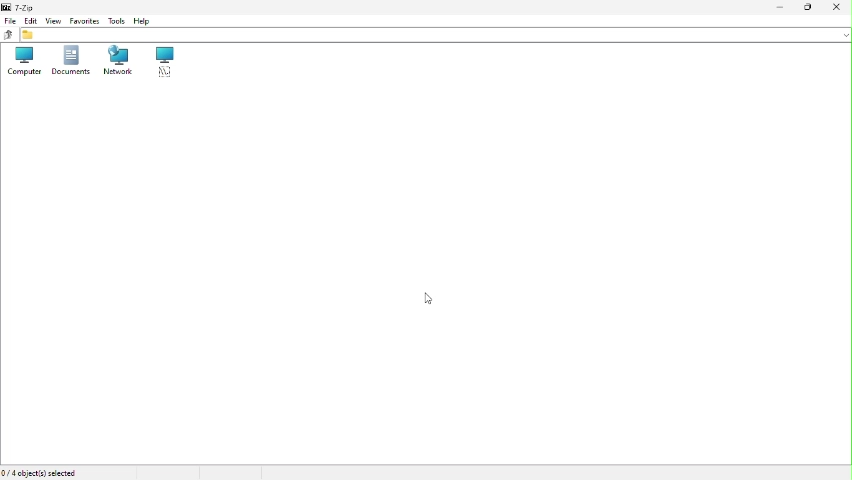  What do you see at coordinates (431, 300) in the screenshot?
I see `cursor` at bounding box center [431, 300].